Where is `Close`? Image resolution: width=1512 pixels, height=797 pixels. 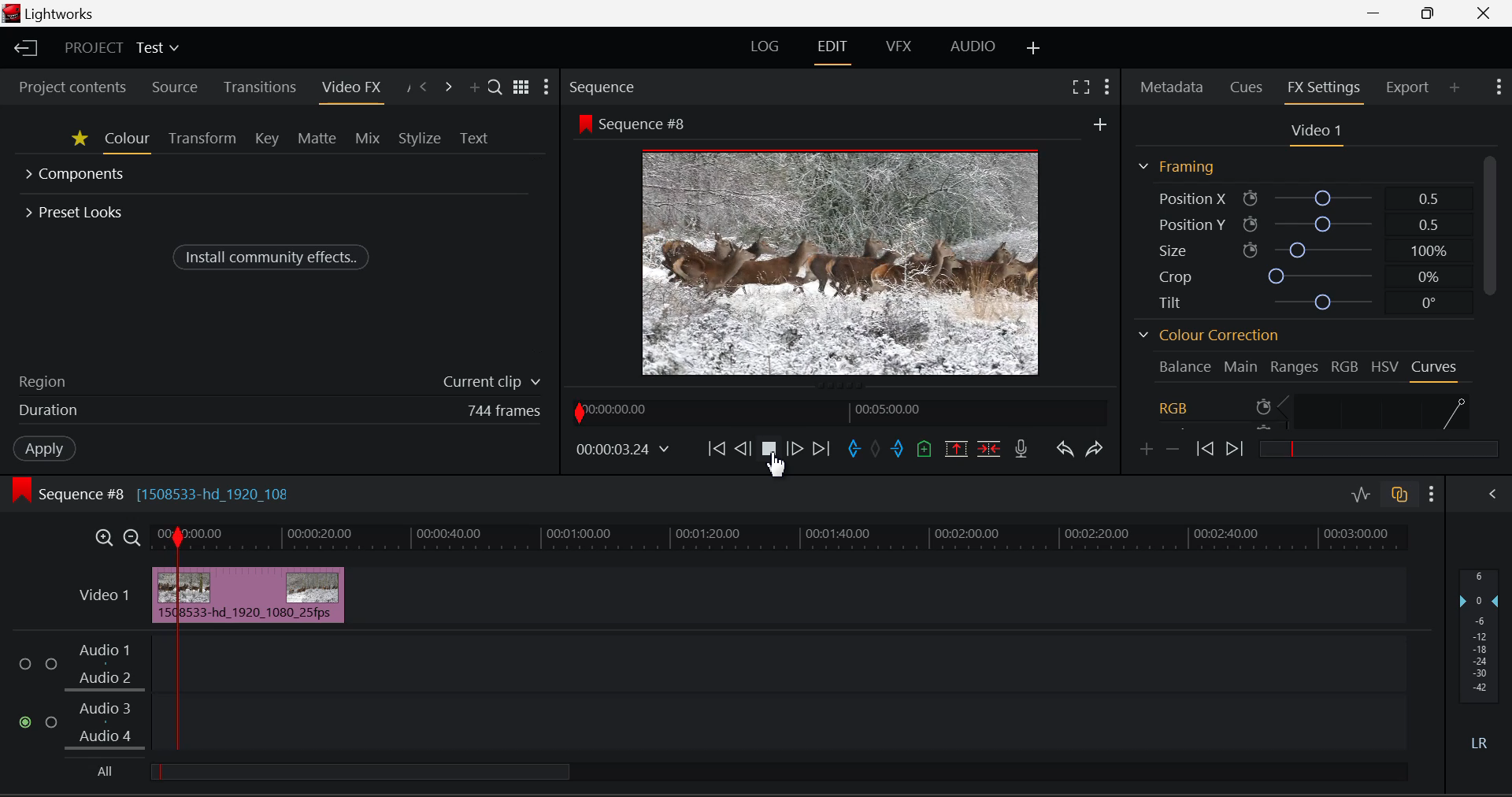 Close is located at coordinates (1484, 13).